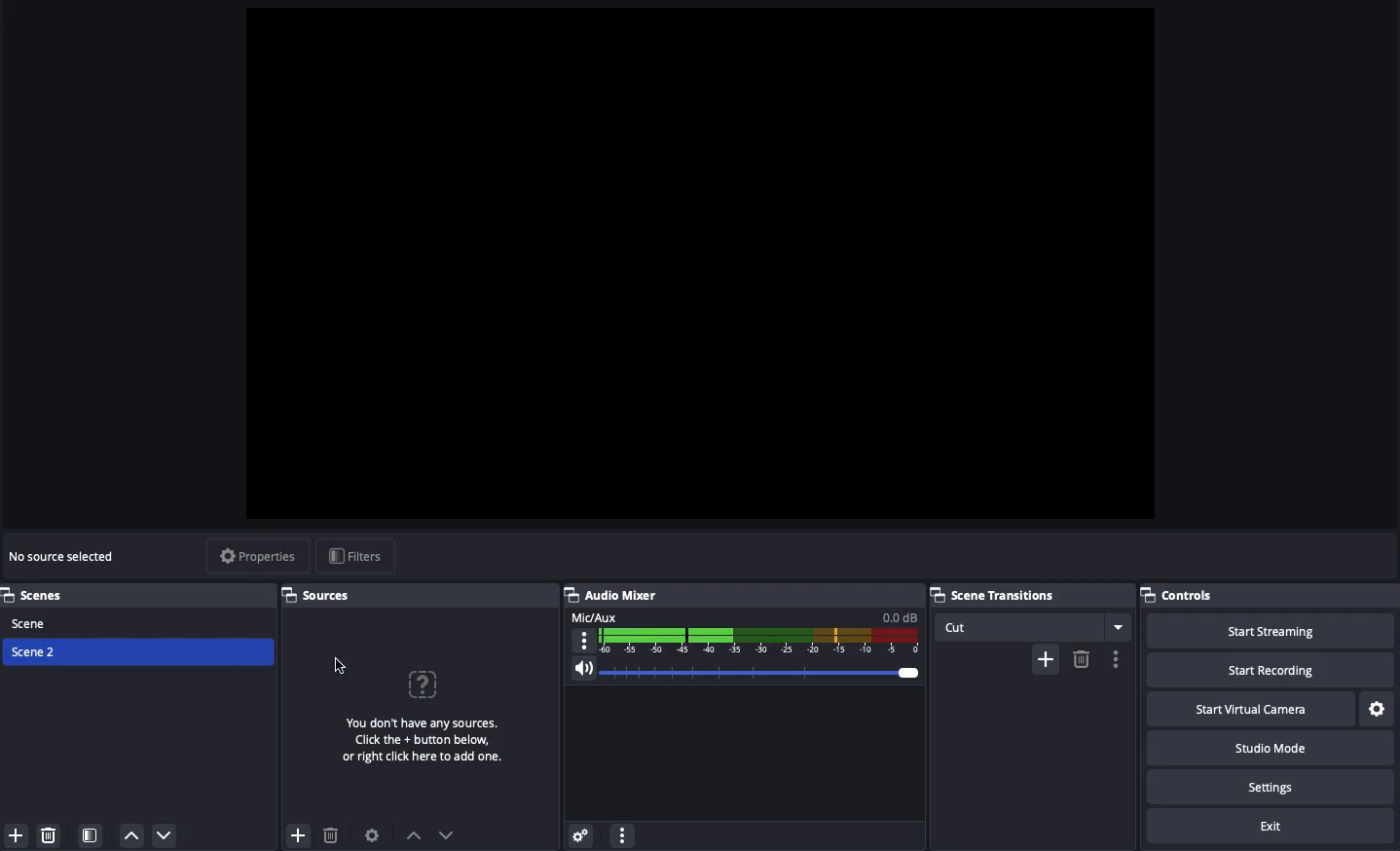  Describe the element at coordinates (35, 650) in the screenshot. I see `Scene 2` at that location.